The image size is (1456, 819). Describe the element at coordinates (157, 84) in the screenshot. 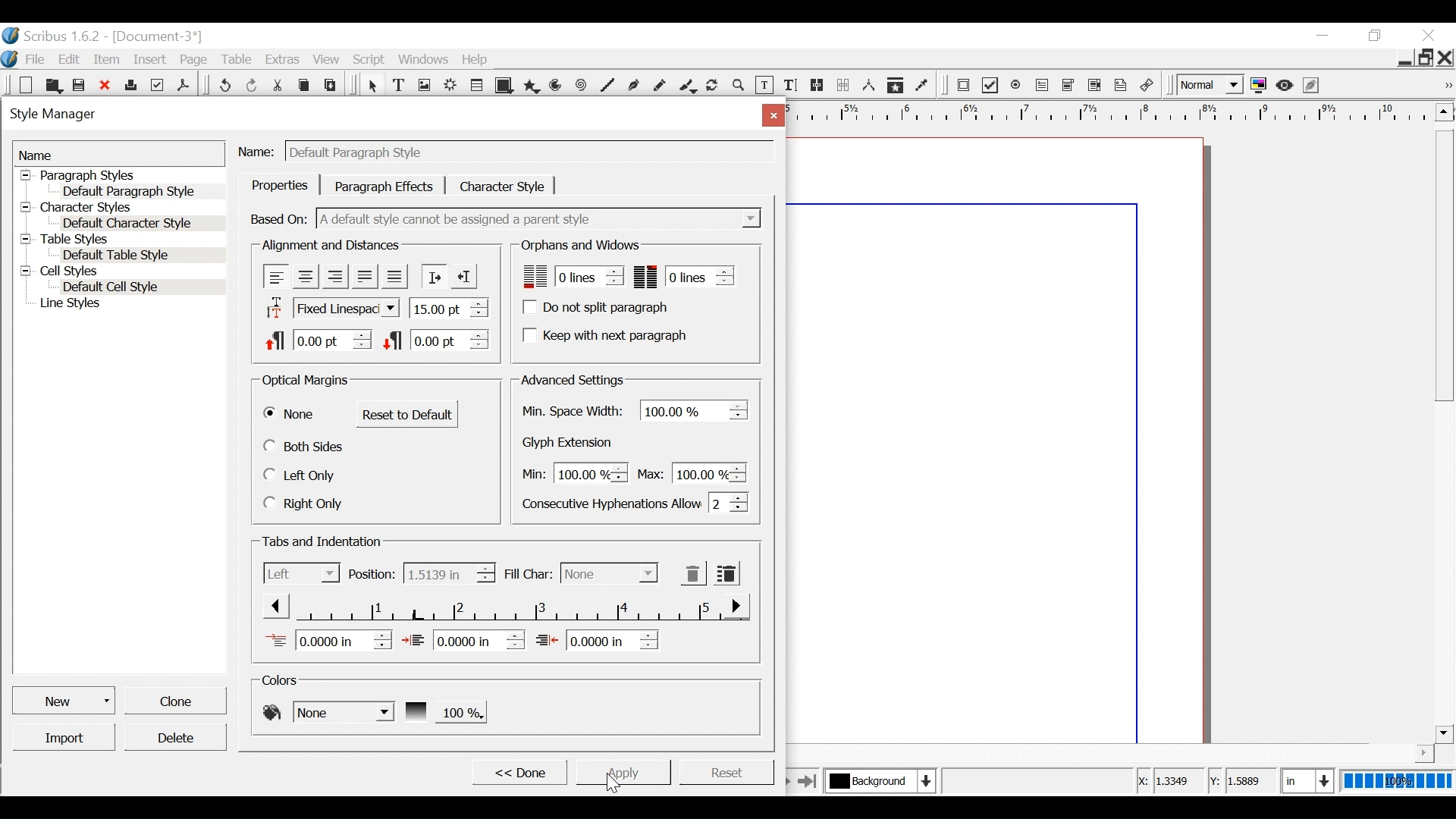

I see `Prefilight Verifier` at that location.